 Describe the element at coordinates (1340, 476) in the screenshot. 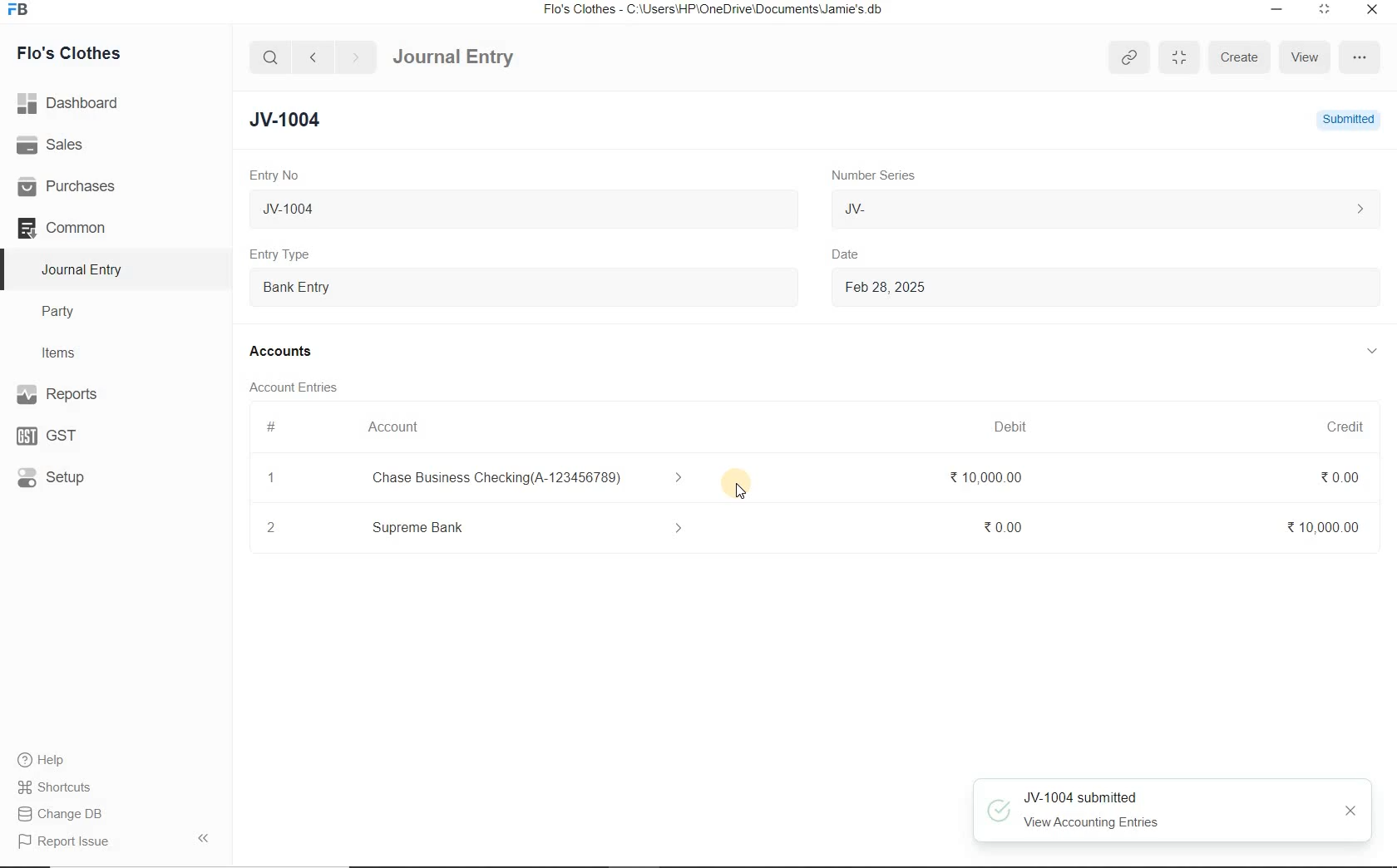

I see `₹0.00` at that location.